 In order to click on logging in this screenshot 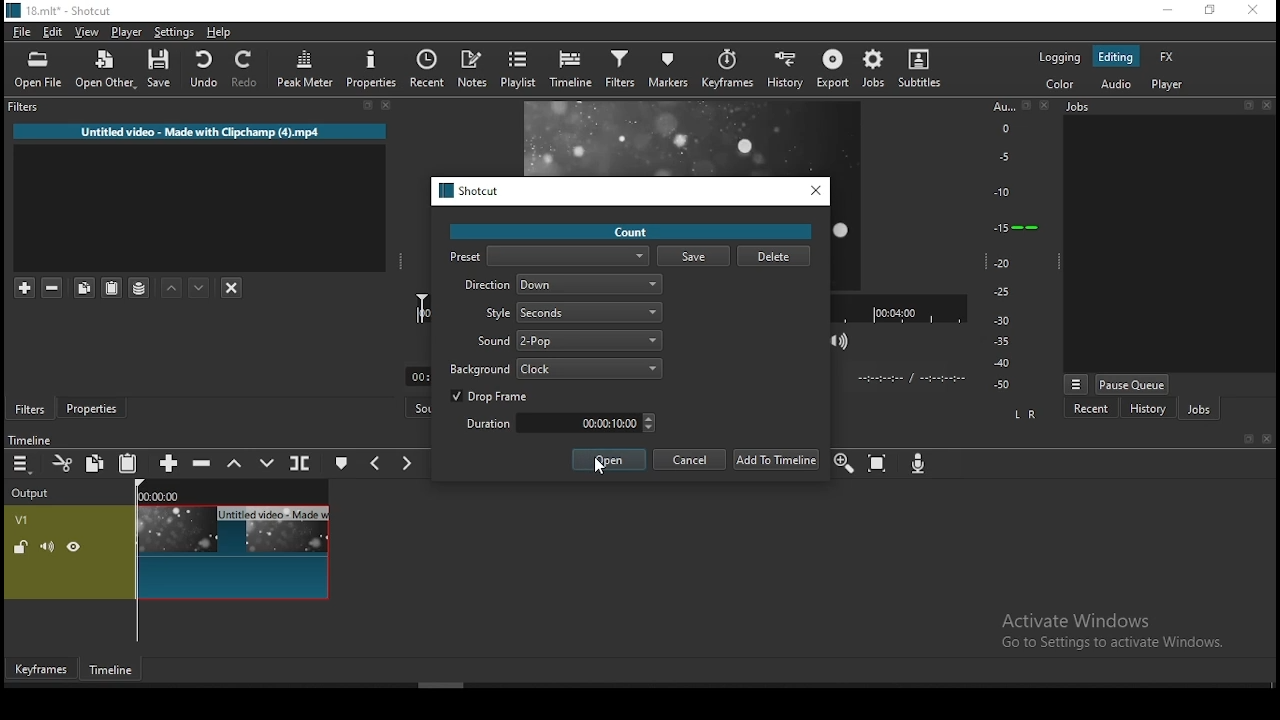, I will do `click(1059, 58)`.